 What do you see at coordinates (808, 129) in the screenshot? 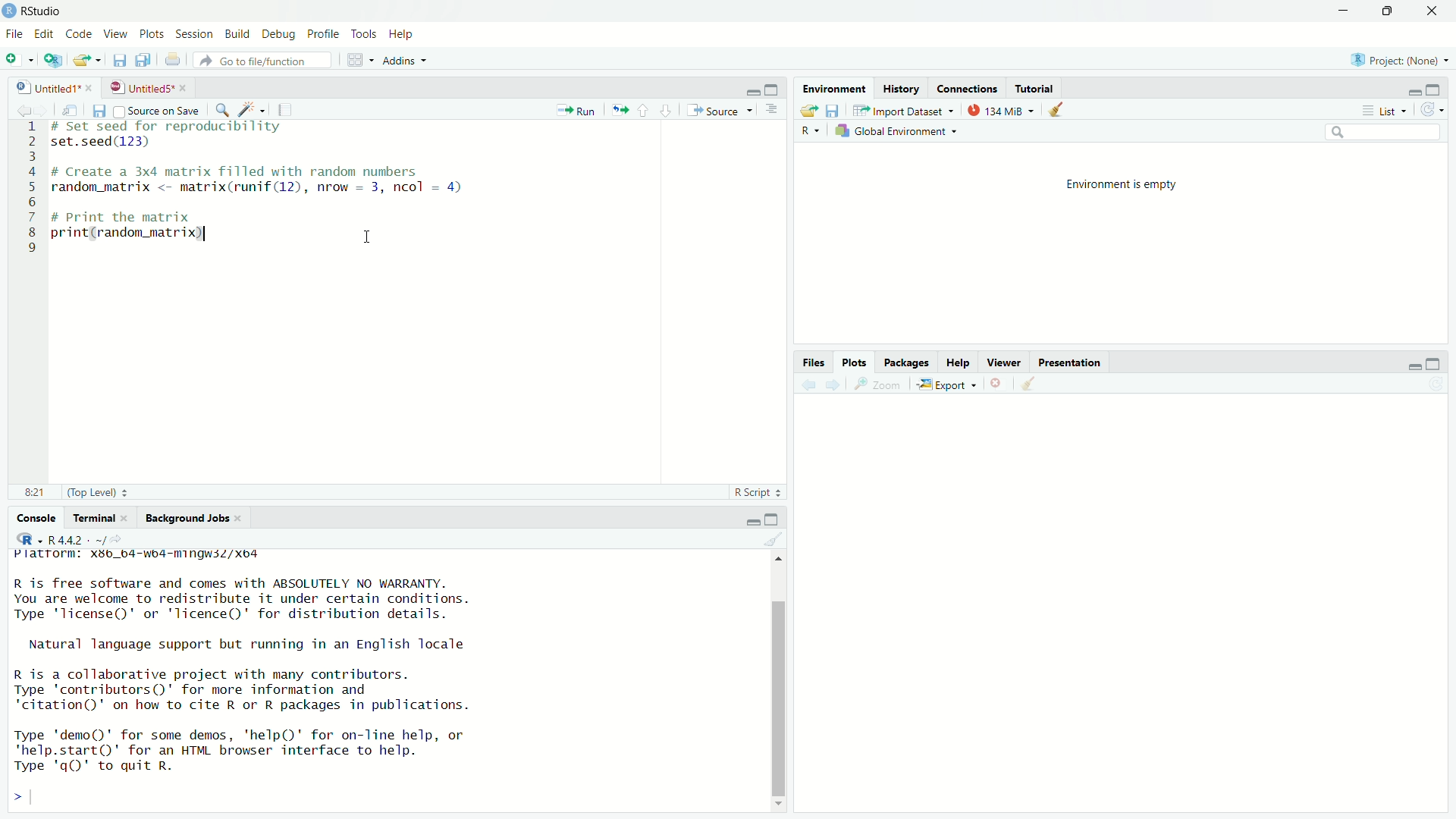
I see `R ~` at bounding box center [808, 129].